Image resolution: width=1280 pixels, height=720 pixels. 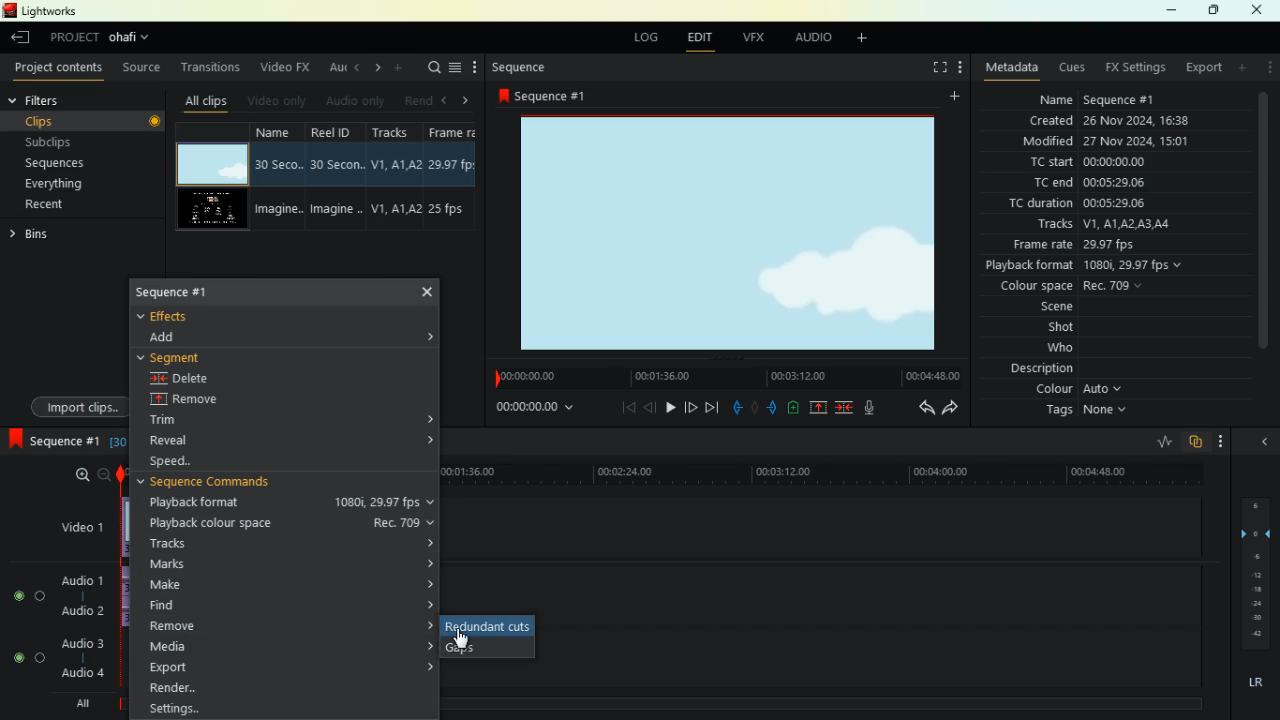 I want to click on timeline, so click(x=722, y=375).